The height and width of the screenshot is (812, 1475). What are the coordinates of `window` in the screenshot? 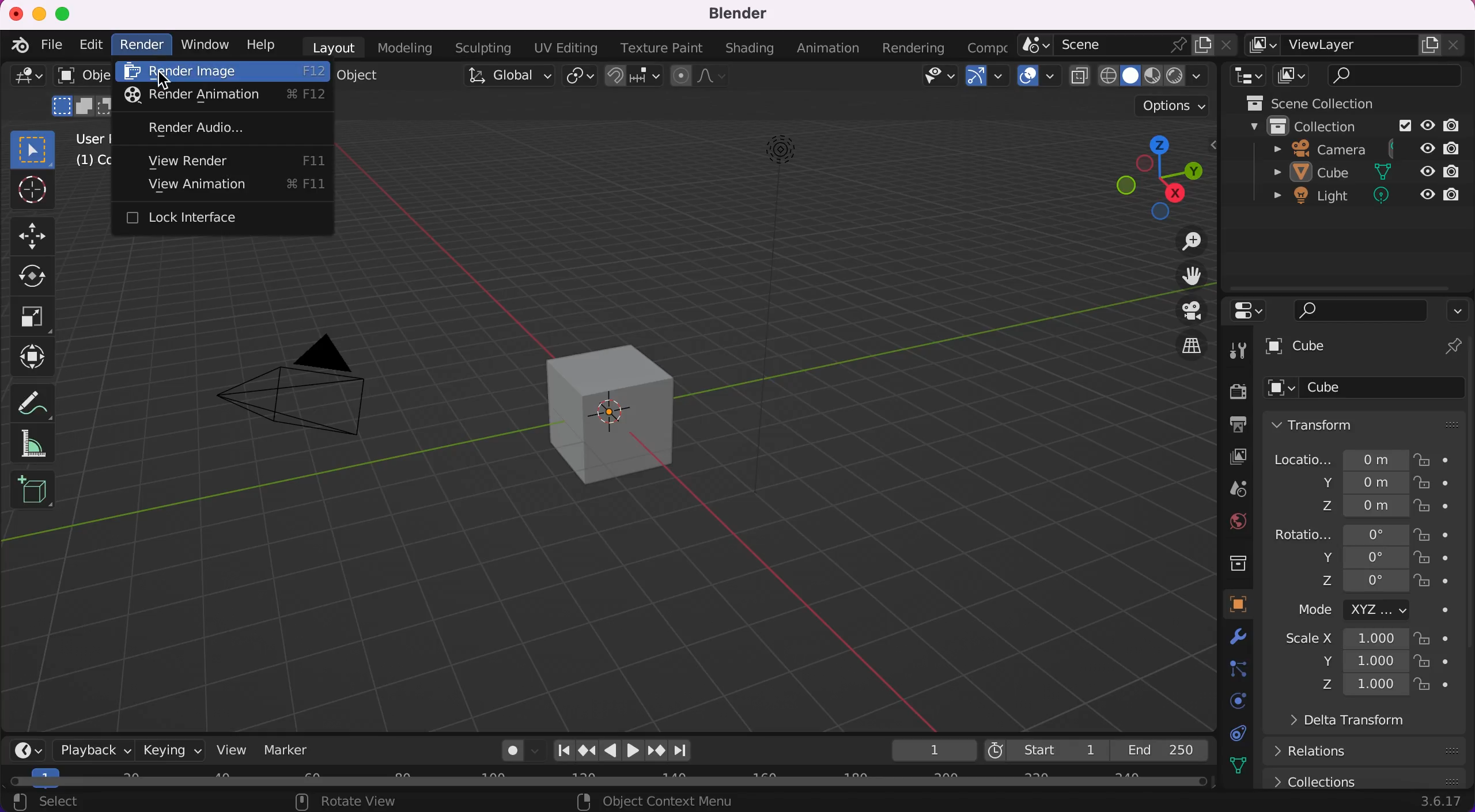 It's located at (204, 45).